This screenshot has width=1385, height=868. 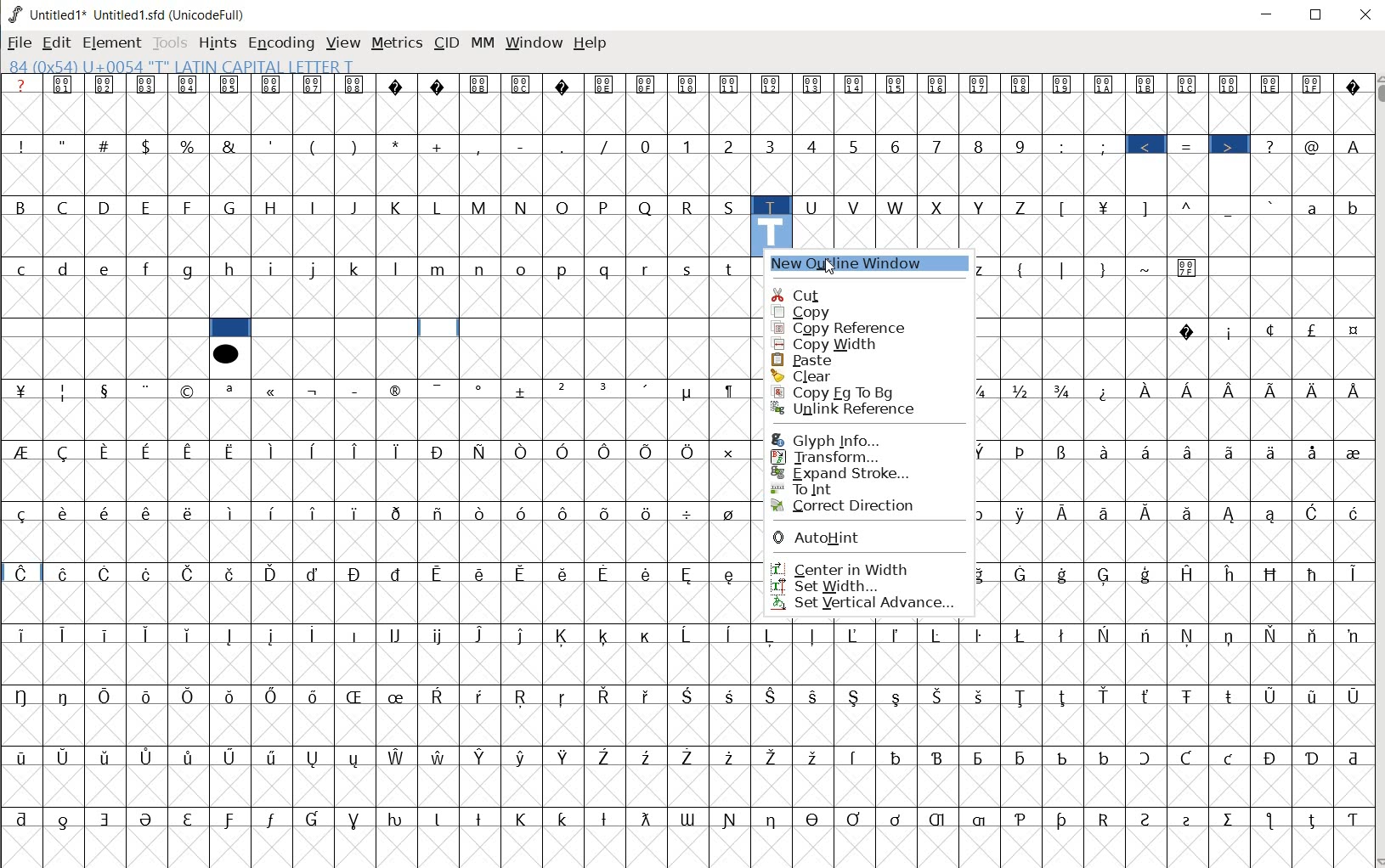 What do you see at coordinates (813, 755) in the screenshot?
I see `Symbol` at bounding box center [813, 755].